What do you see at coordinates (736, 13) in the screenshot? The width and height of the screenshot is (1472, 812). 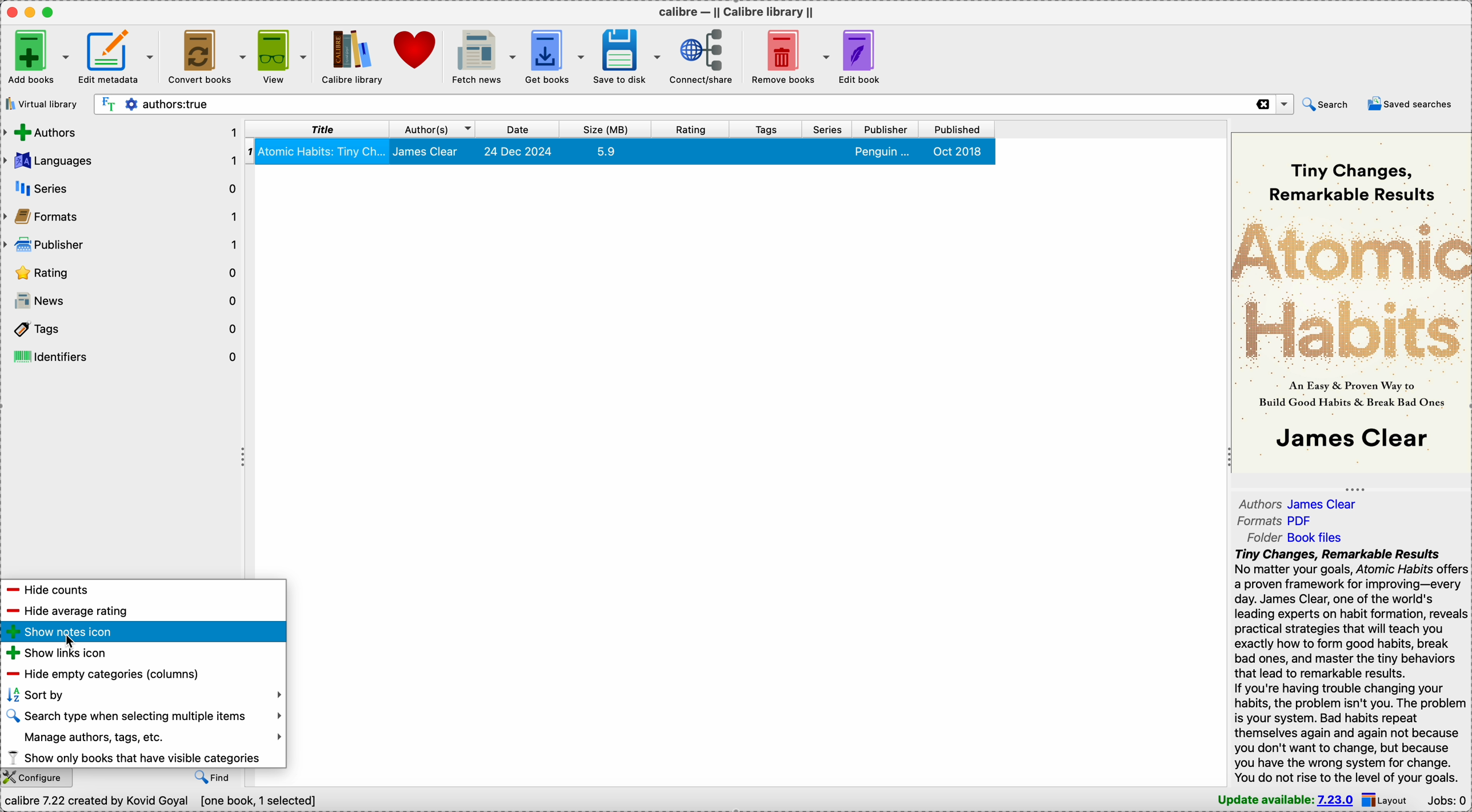 I see `Calibre - || calibre library ||` at bounding box center [736, 13].